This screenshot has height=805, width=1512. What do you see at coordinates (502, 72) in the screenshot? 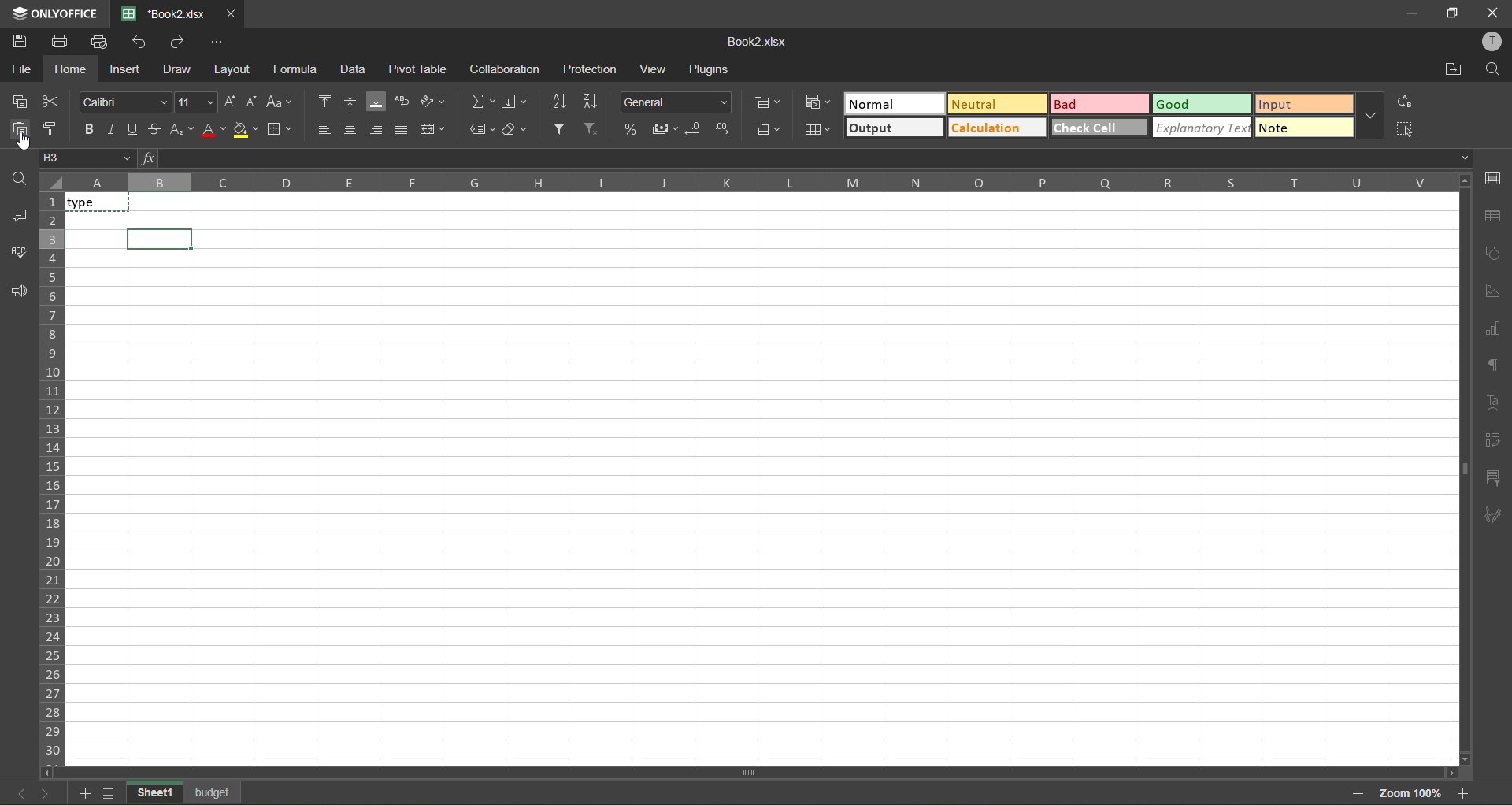
I see `collaboration` at bounding box center [502, 72].